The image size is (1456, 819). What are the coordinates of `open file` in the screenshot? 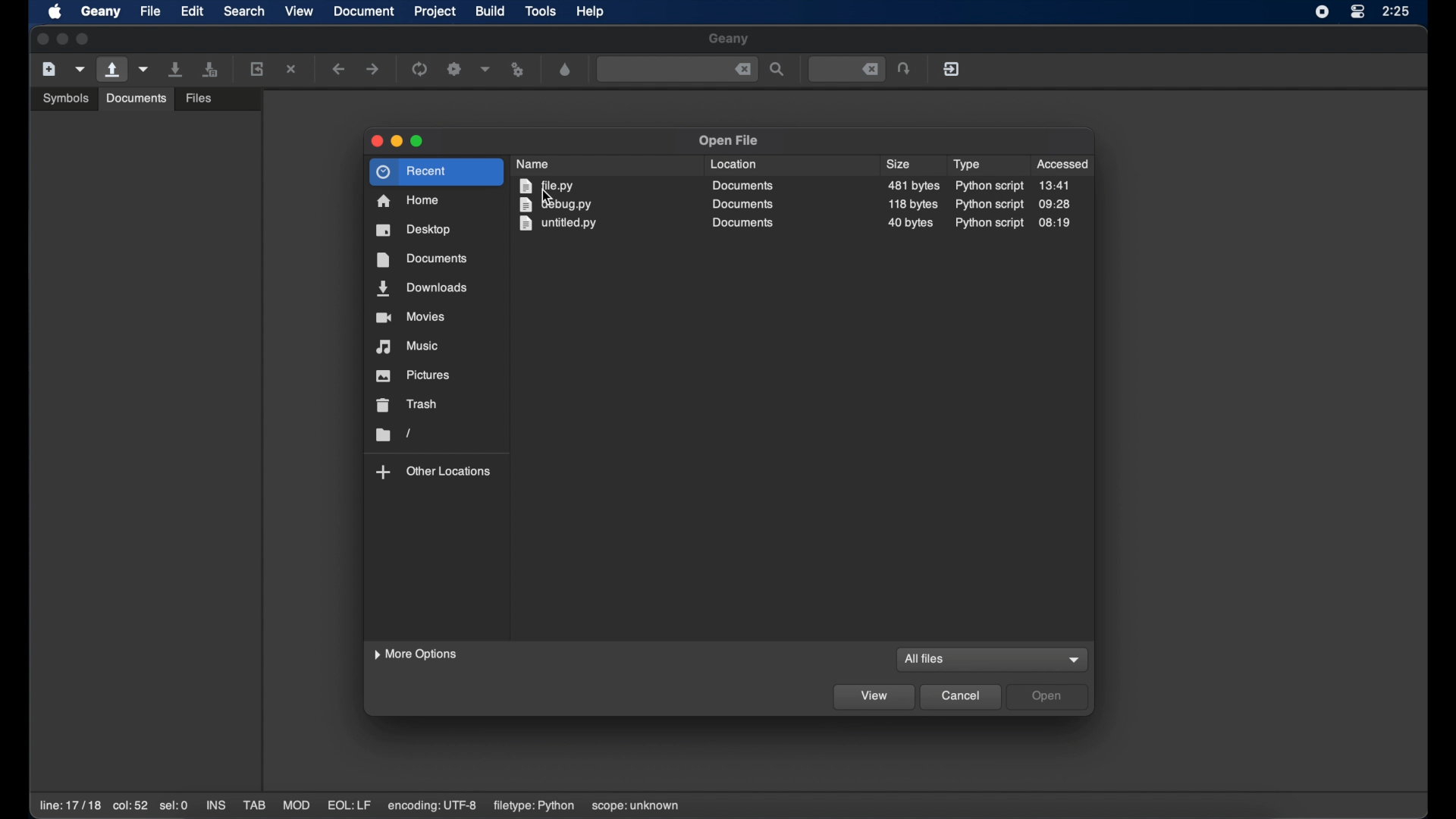 It's located at (729, 142).